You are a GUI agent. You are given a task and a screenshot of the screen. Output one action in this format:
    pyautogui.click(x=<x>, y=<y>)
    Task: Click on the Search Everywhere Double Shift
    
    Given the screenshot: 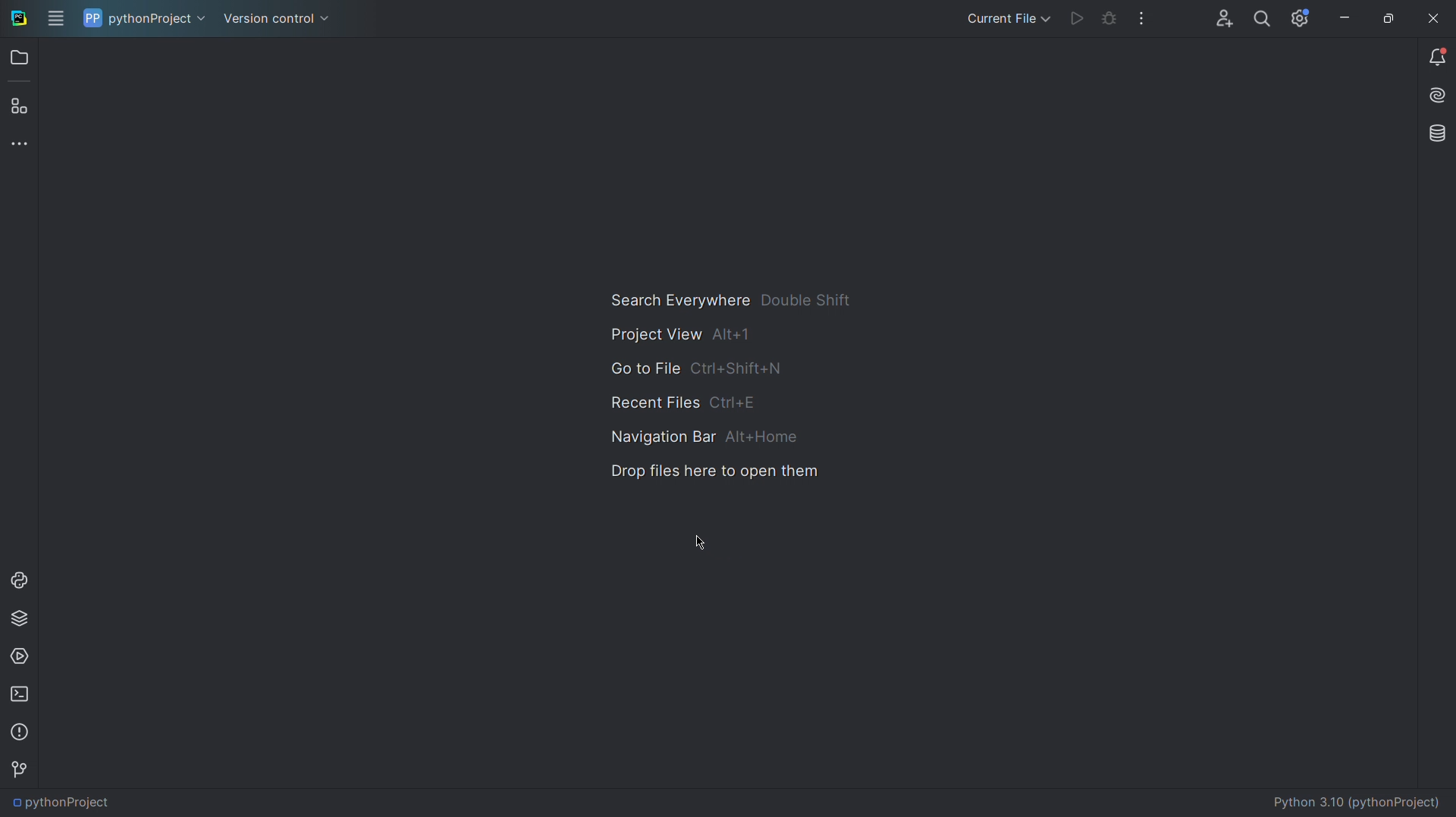 What is the action you would take?
    pyautogui.click(x=741, y=299)
    